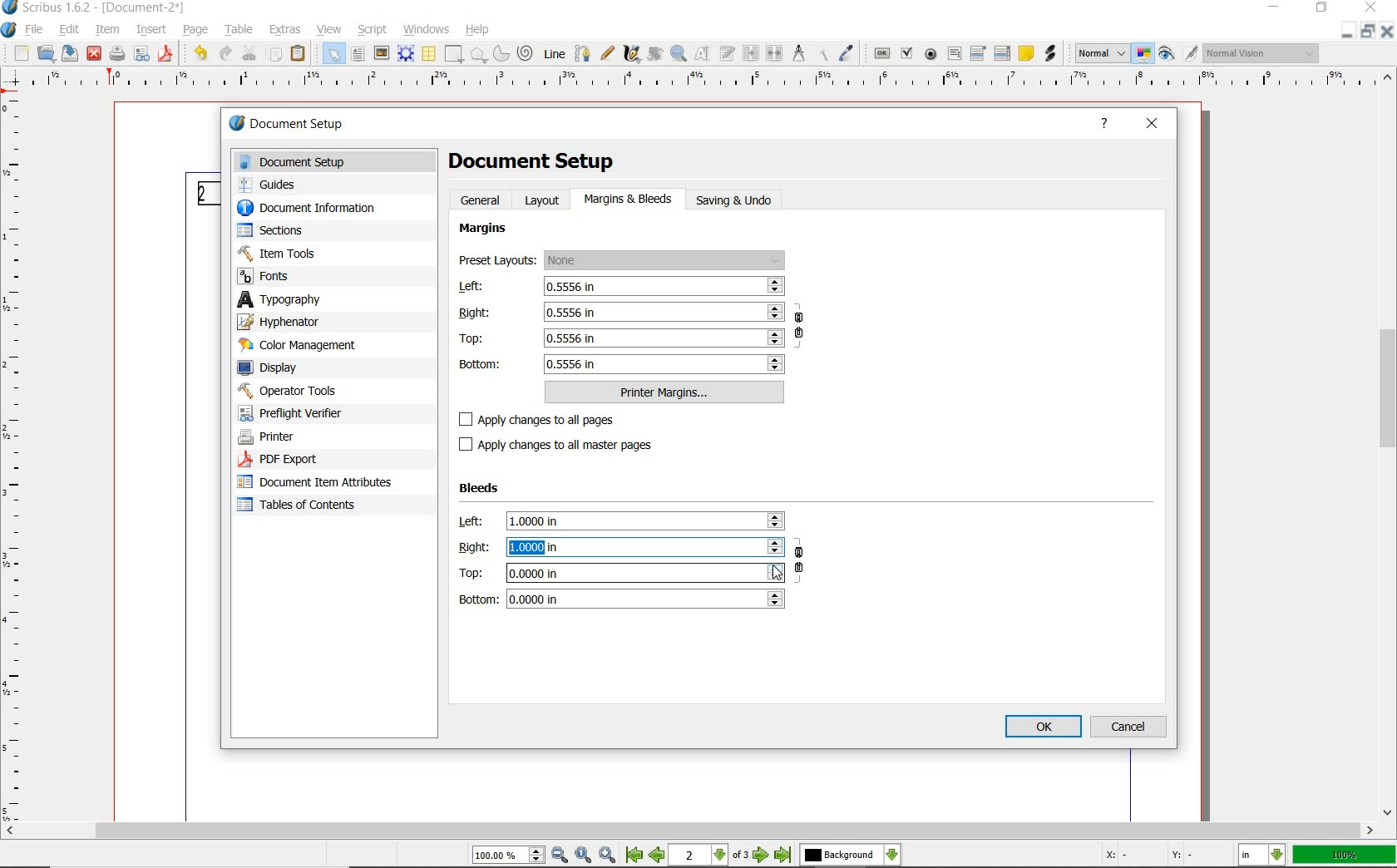 The image size is (1397, 868). I want to click on polygon, so click(478, 55).